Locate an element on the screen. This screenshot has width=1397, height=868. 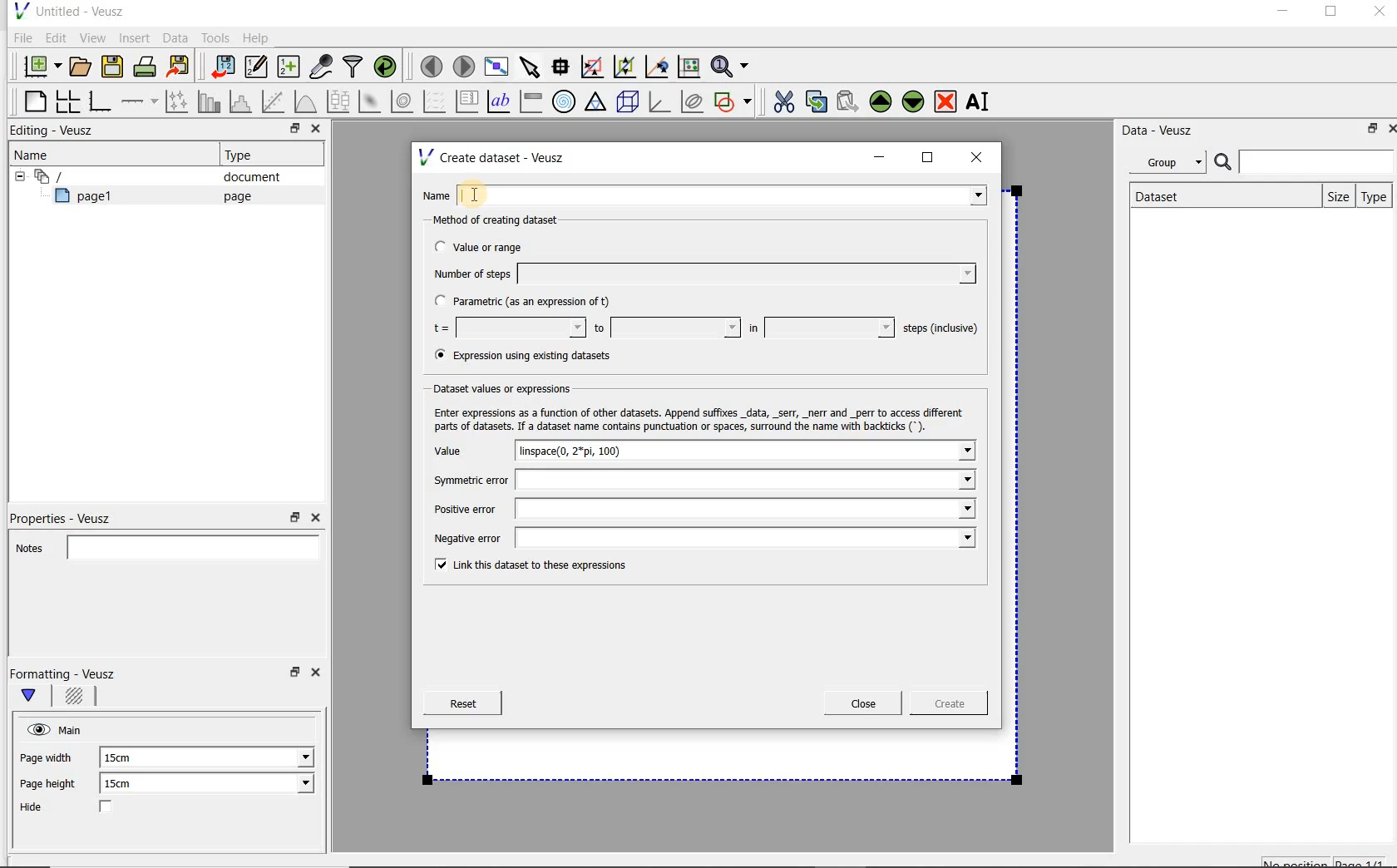
Insert is located at coordinates (136, 37).